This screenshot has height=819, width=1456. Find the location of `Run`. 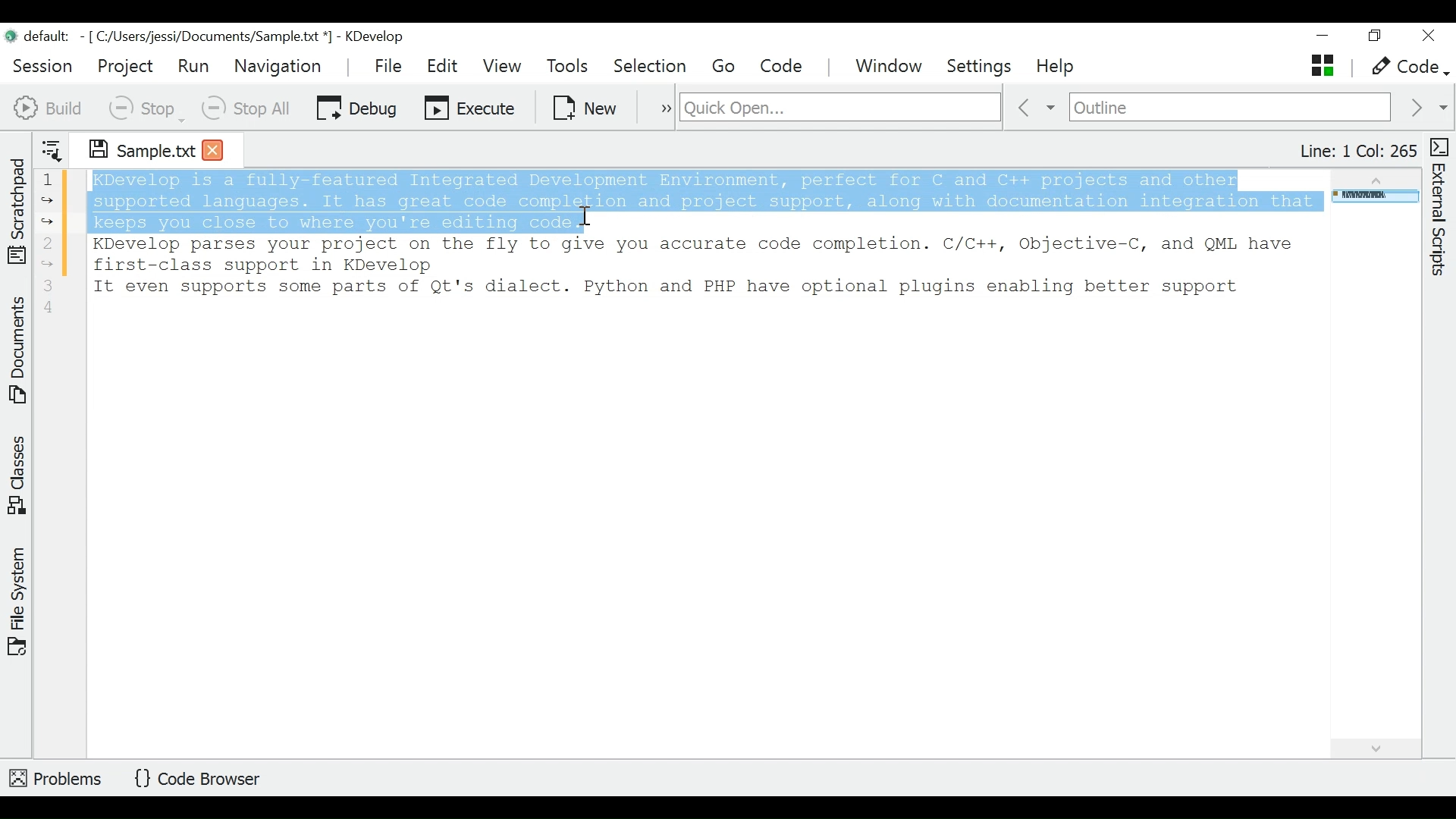

Run is located at coordinates (193, 65).